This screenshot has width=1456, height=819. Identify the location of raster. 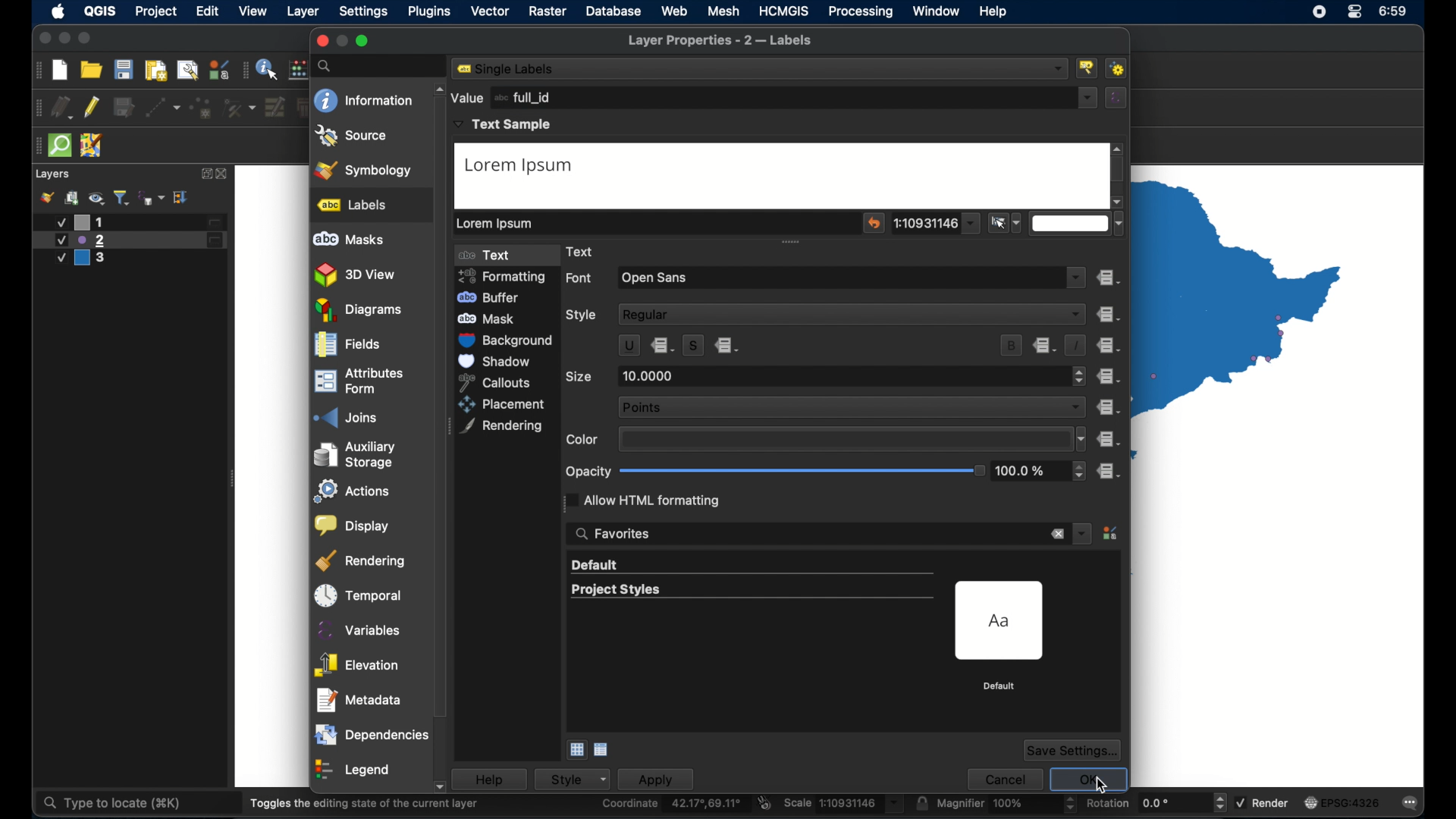
(548, 11).